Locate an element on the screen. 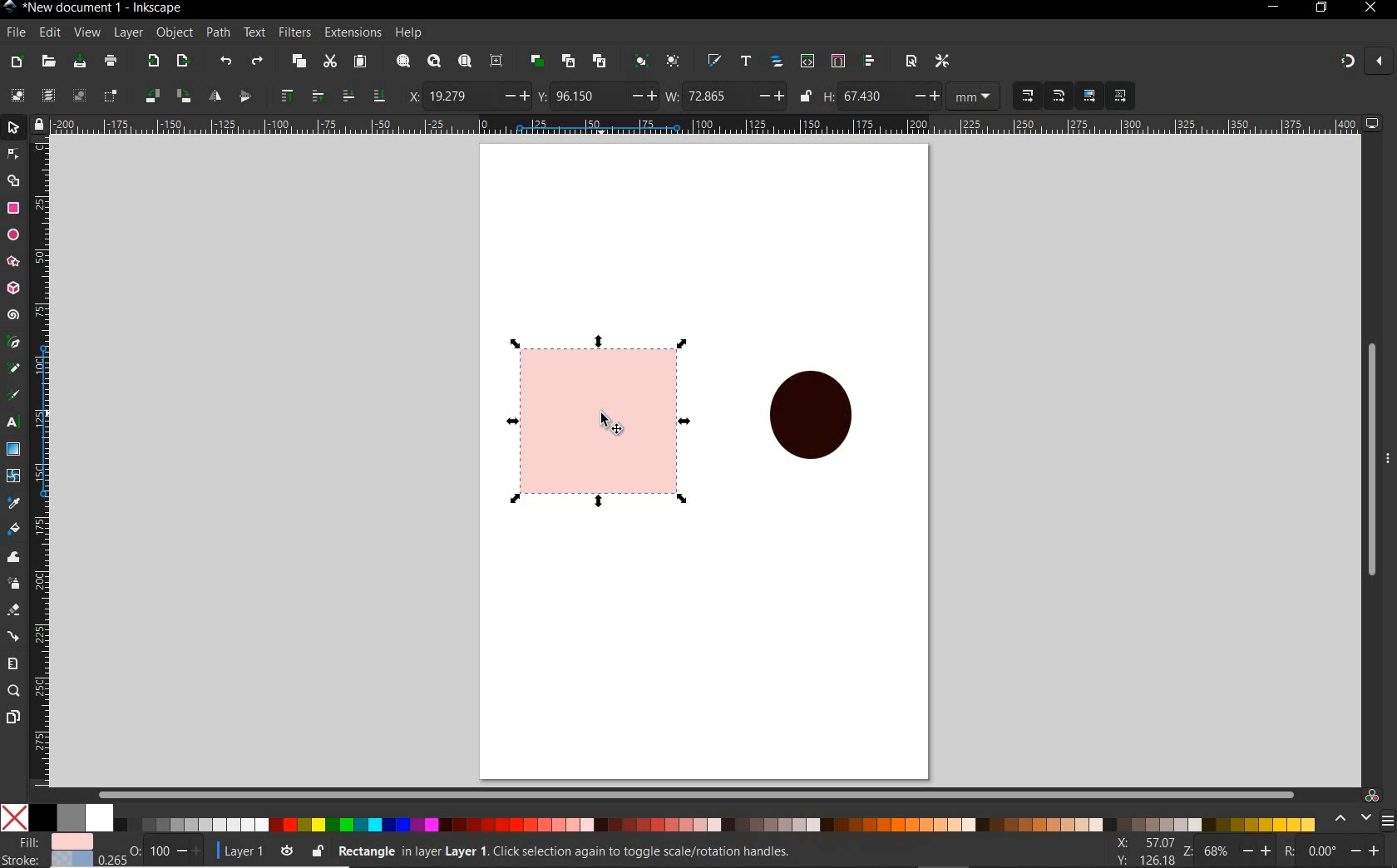  toggle selection box is located at coordinates (111, 96).